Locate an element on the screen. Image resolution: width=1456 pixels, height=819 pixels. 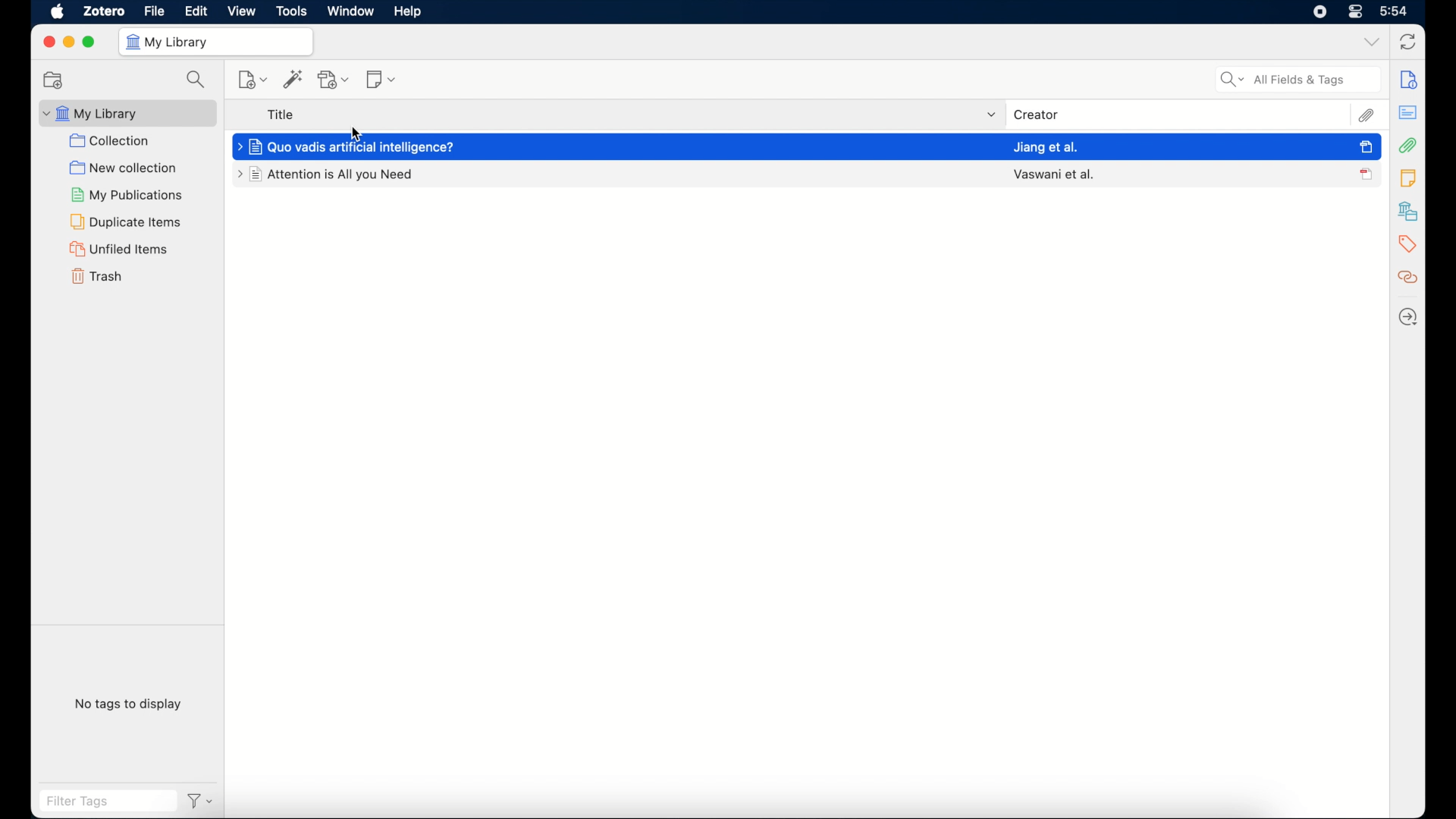
control center is located at coordinates (1319, 12).